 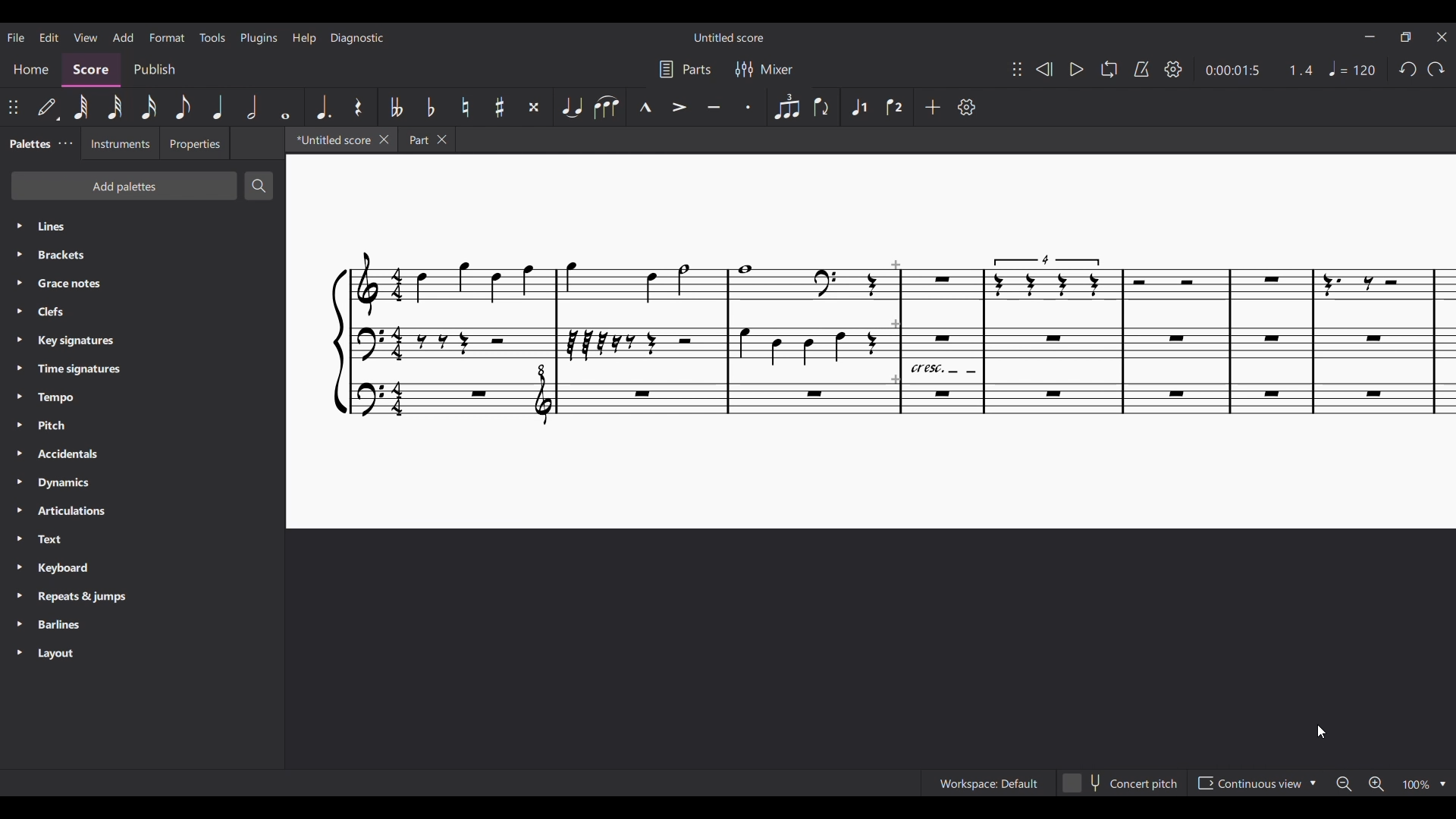 What do you see at coordinates (158, 441) in the screenshot?
I see `List of palettes` at bounding box center [158, 441].